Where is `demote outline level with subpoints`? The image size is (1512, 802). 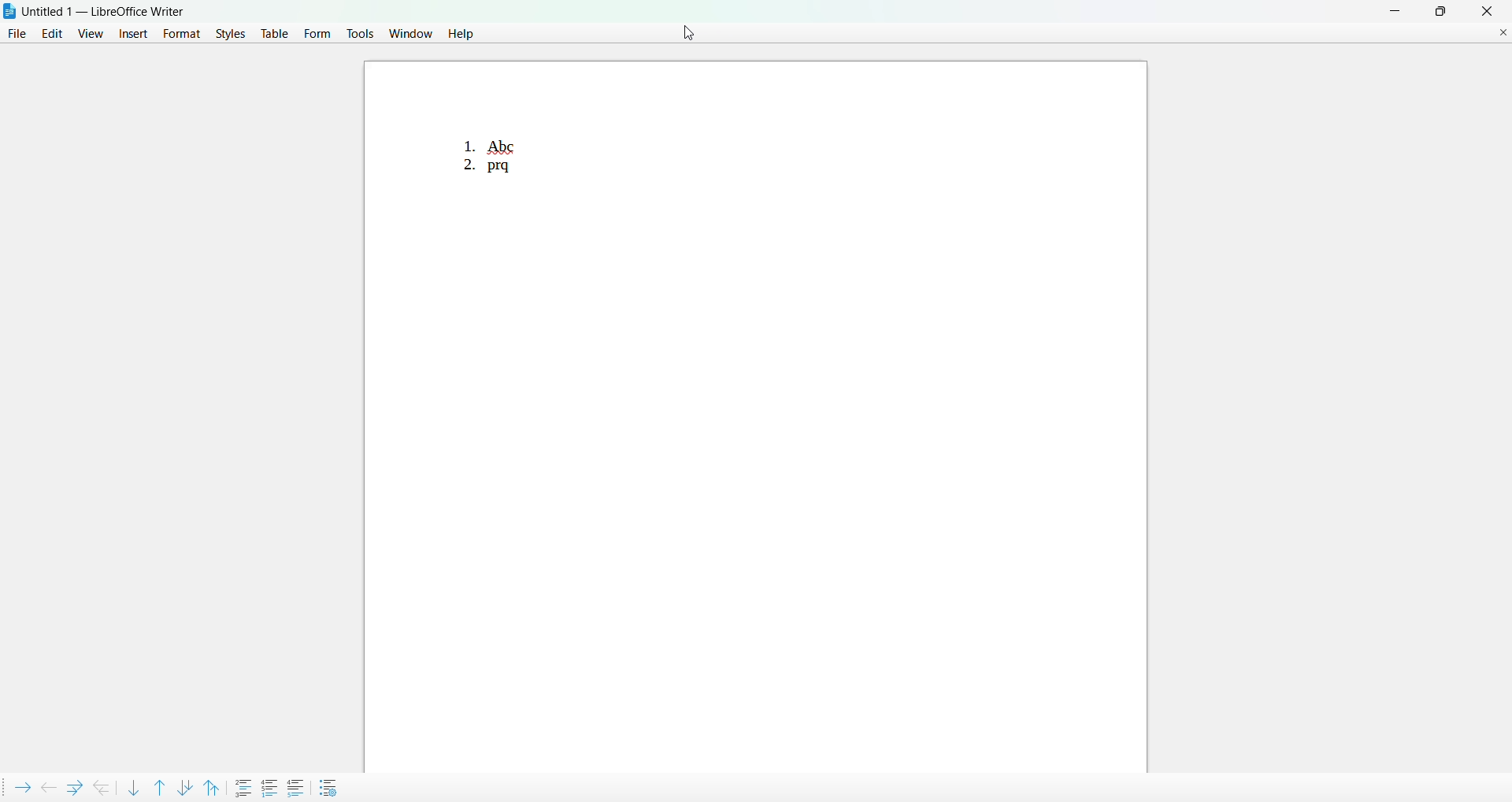 demote outline level with subpoints is located at coordinates (72, 786).